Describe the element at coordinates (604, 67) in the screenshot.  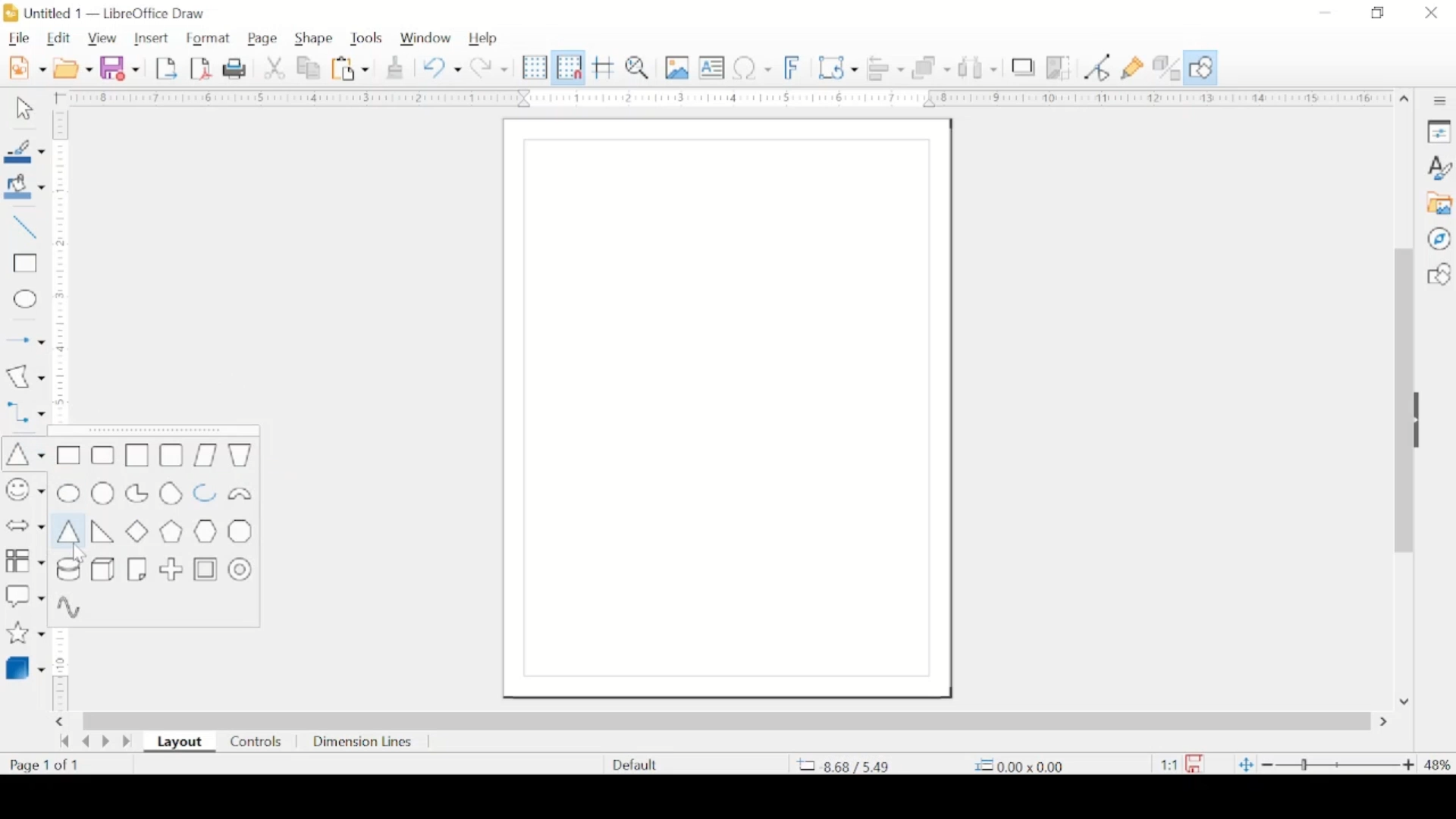
I see `helplines while moving` at that location.